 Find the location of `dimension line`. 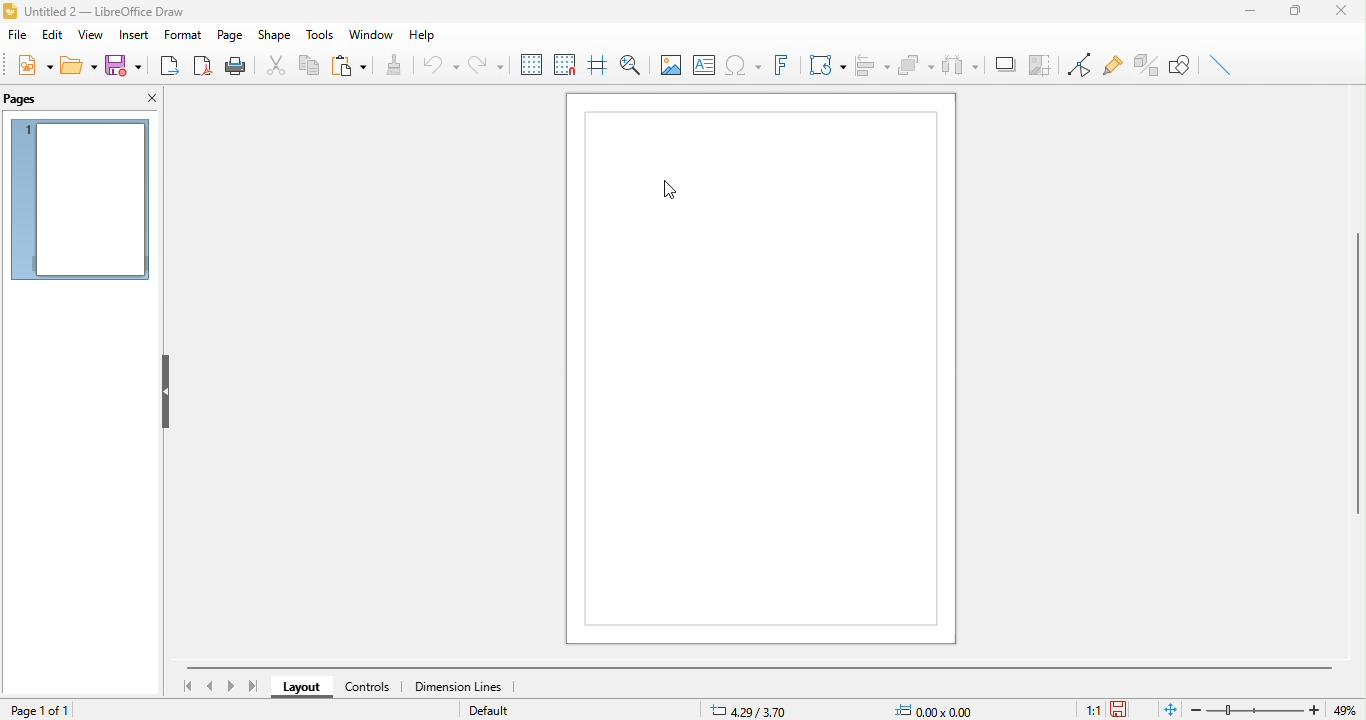

dimension line is located at coordinates (457, 686).